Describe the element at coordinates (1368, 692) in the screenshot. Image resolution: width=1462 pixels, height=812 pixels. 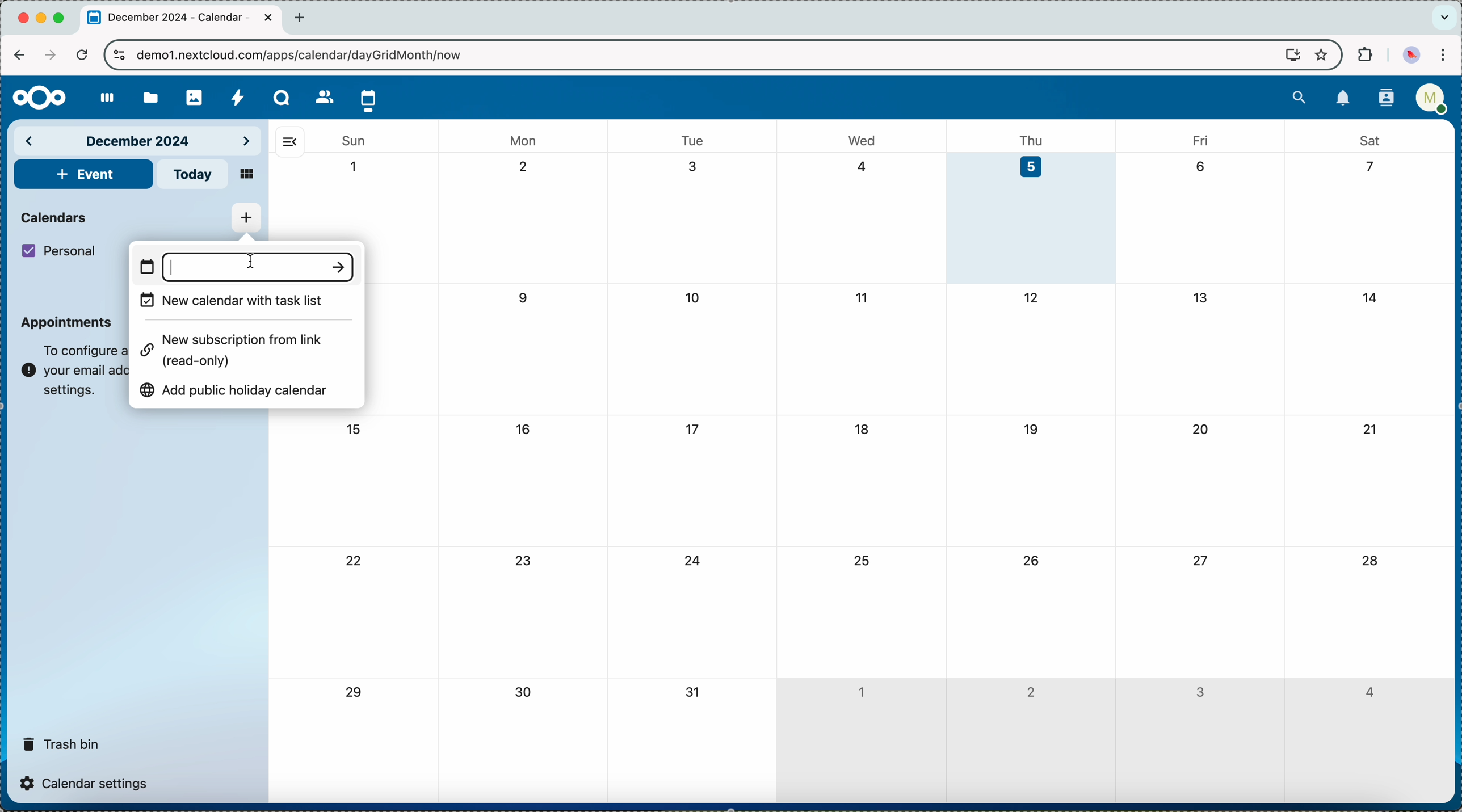
I see `4` at that location.